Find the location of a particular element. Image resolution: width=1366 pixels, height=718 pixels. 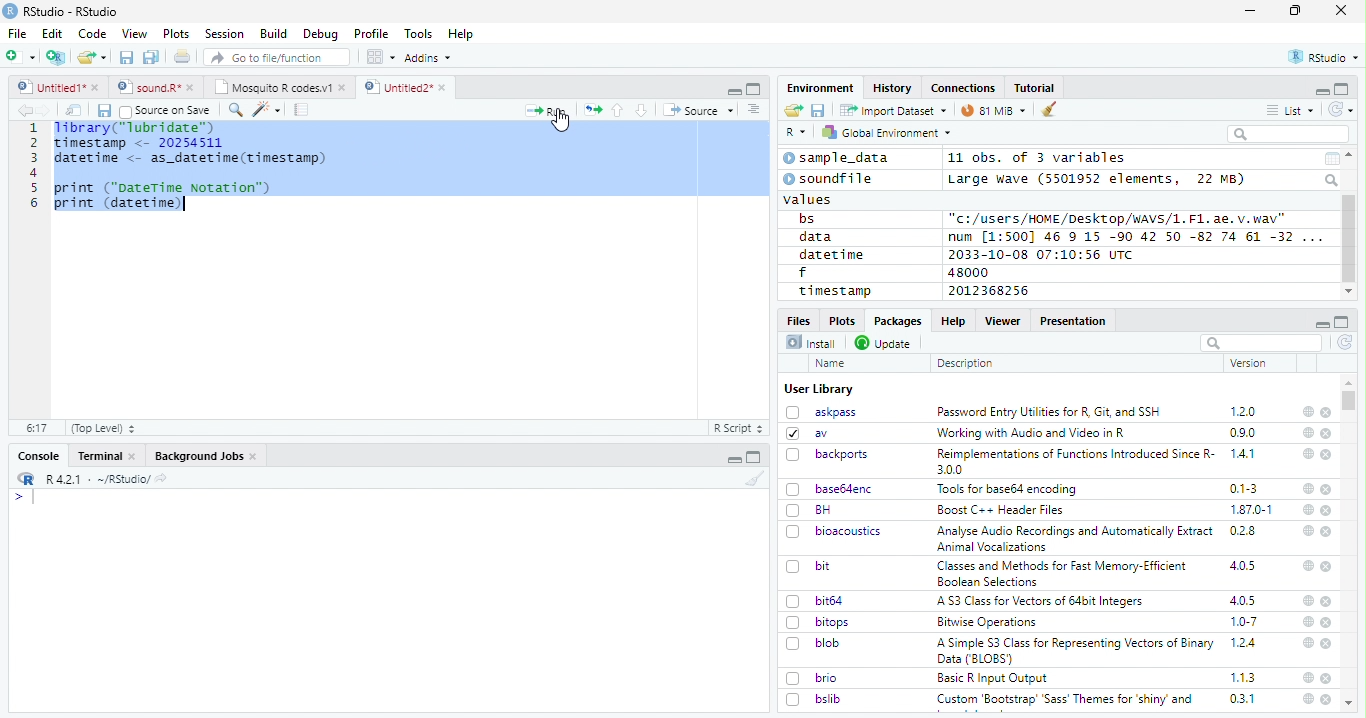

help is located at coordinates (1308, 432).